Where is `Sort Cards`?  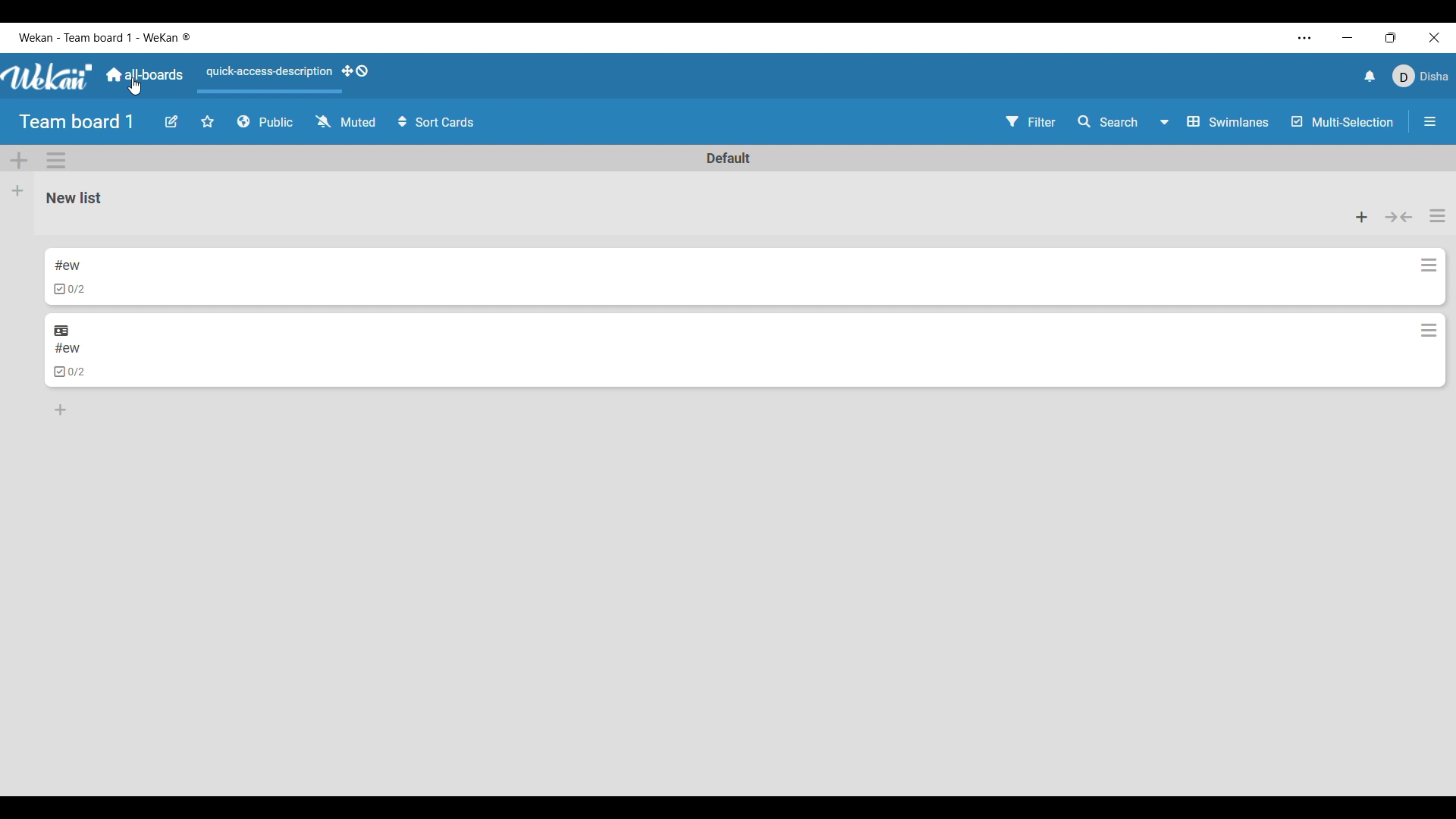 Sort Cards is located at coordinates (439, 121).